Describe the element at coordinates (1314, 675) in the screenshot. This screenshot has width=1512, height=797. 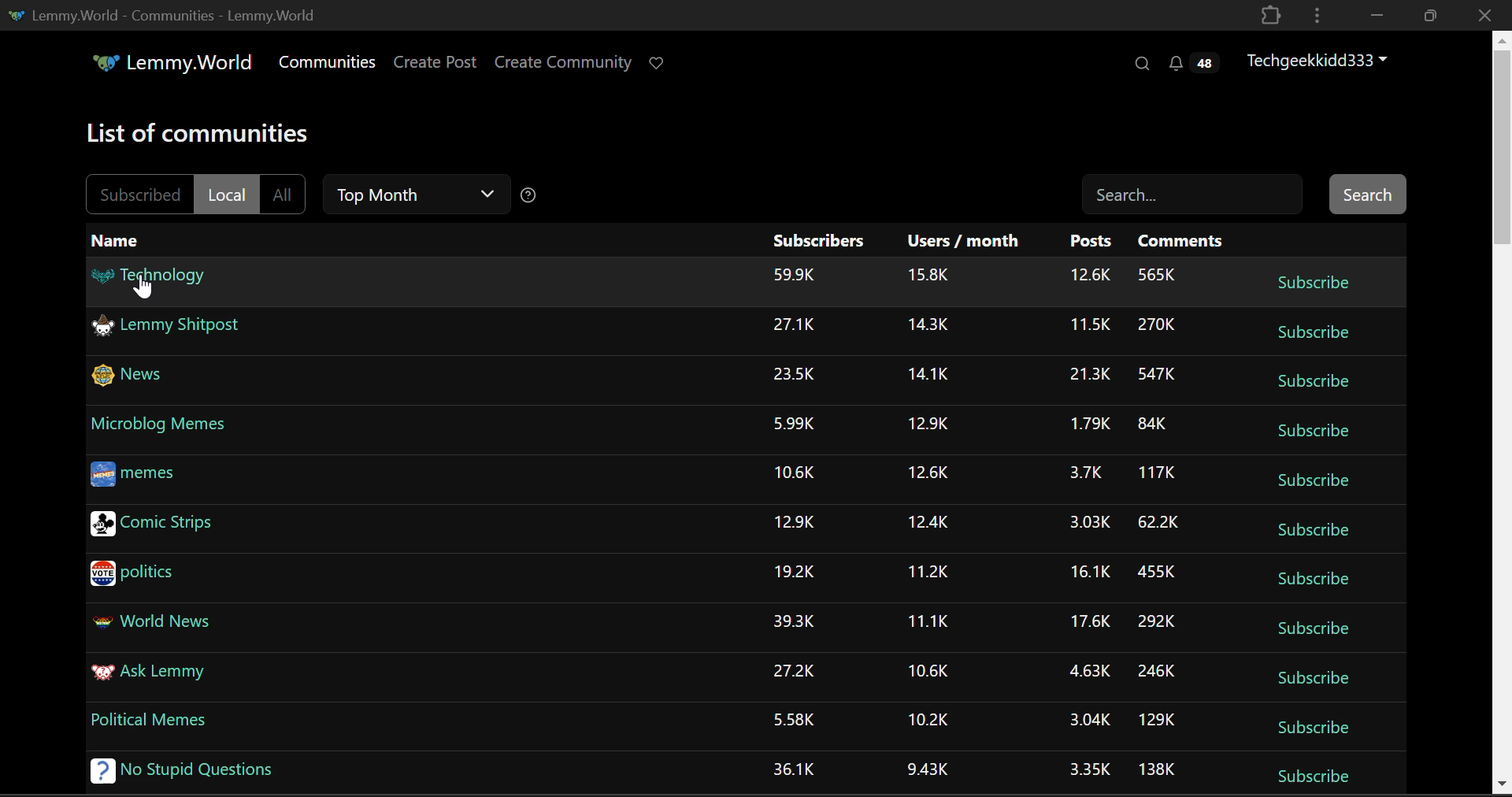
I see `Subscribe` at that location.